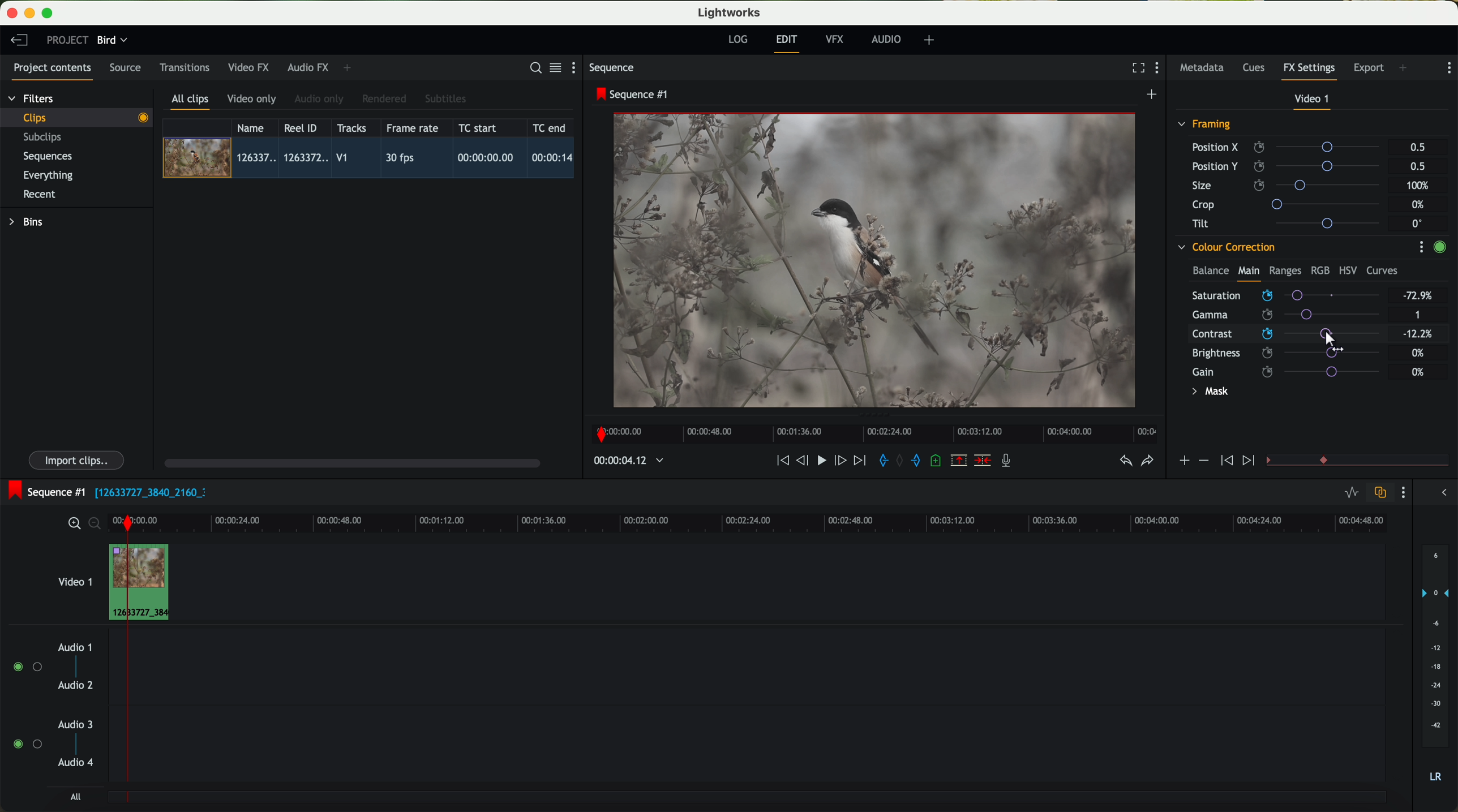  I want to click on create a new sequence, so click(1153, 95).